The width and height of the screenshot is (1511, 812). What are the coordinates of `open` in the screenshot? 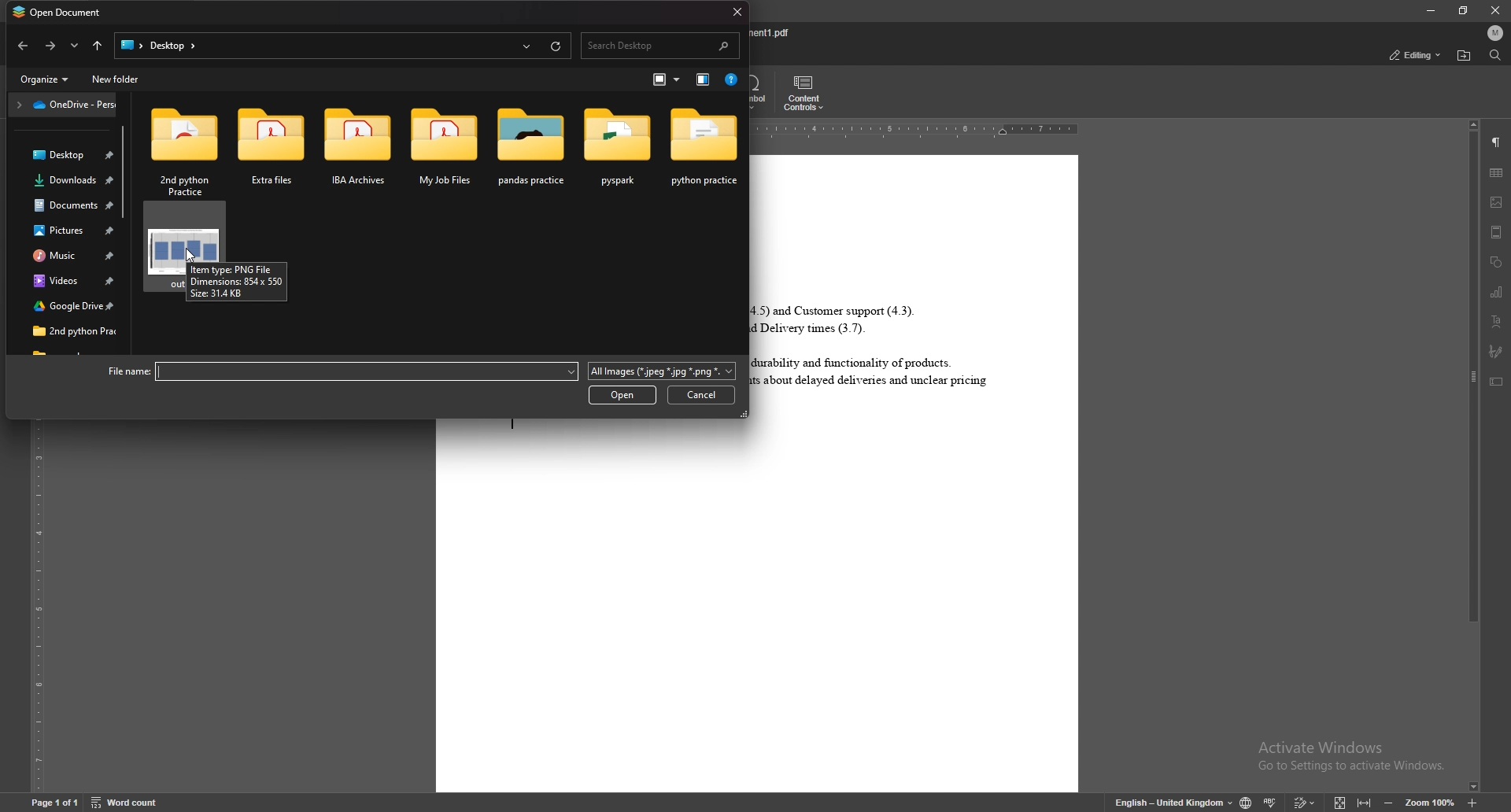 It's located at (622, 396).